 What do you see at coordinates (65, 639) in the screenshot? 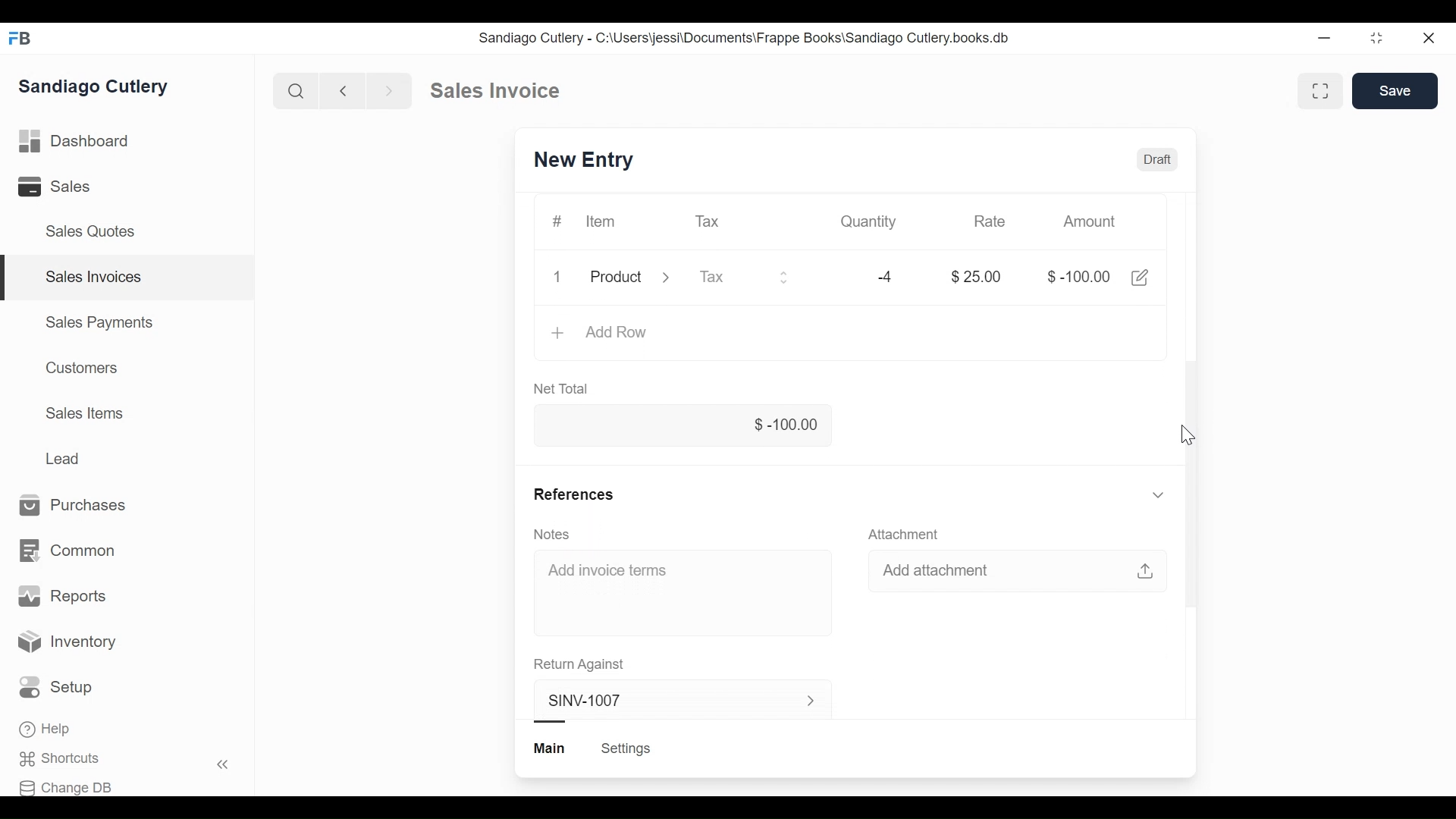
I see `Inventory` at bounding box center [65, 639].